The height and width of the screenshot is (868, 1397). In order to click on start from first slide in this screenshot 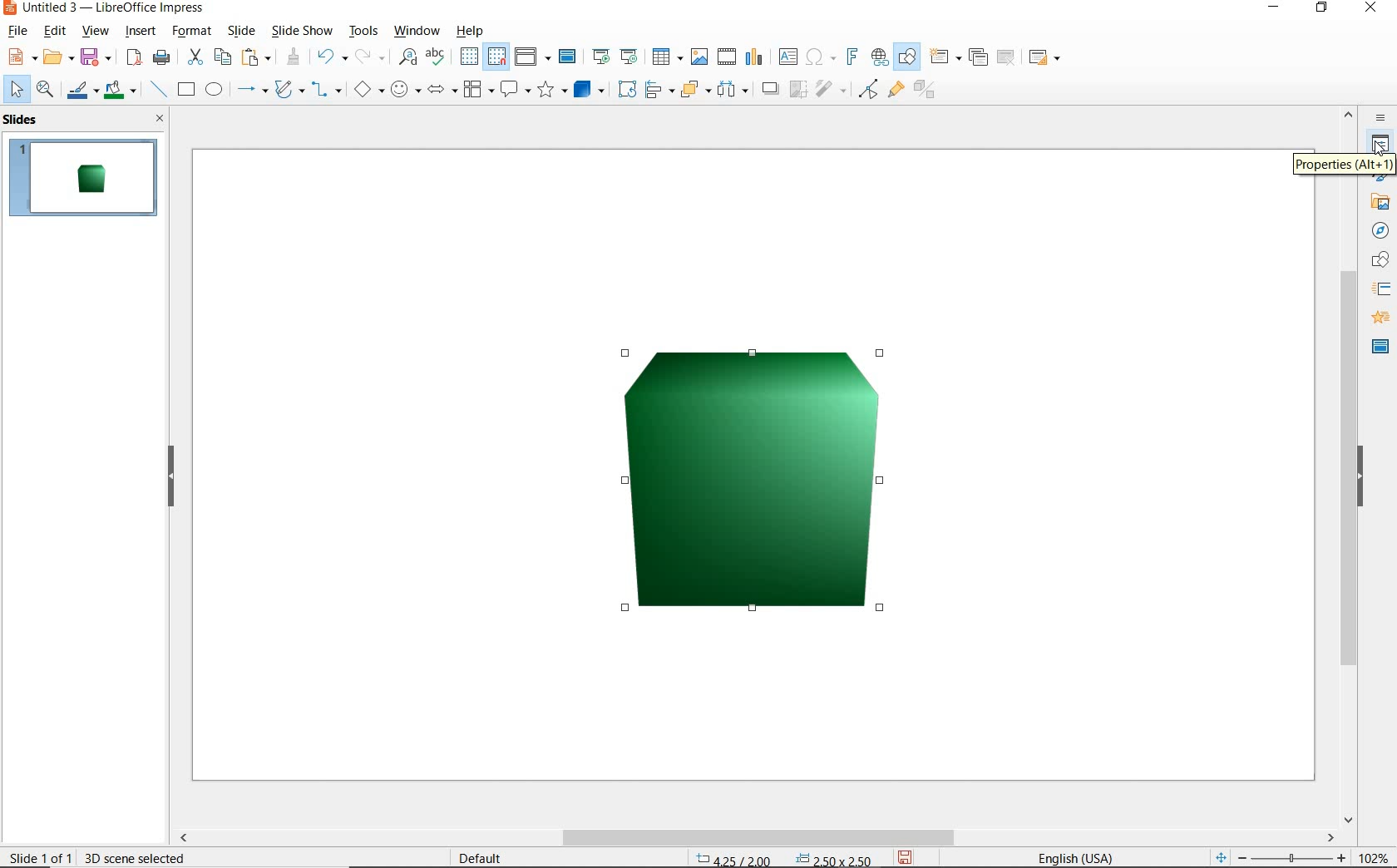, I will do `click(604, 57)`.